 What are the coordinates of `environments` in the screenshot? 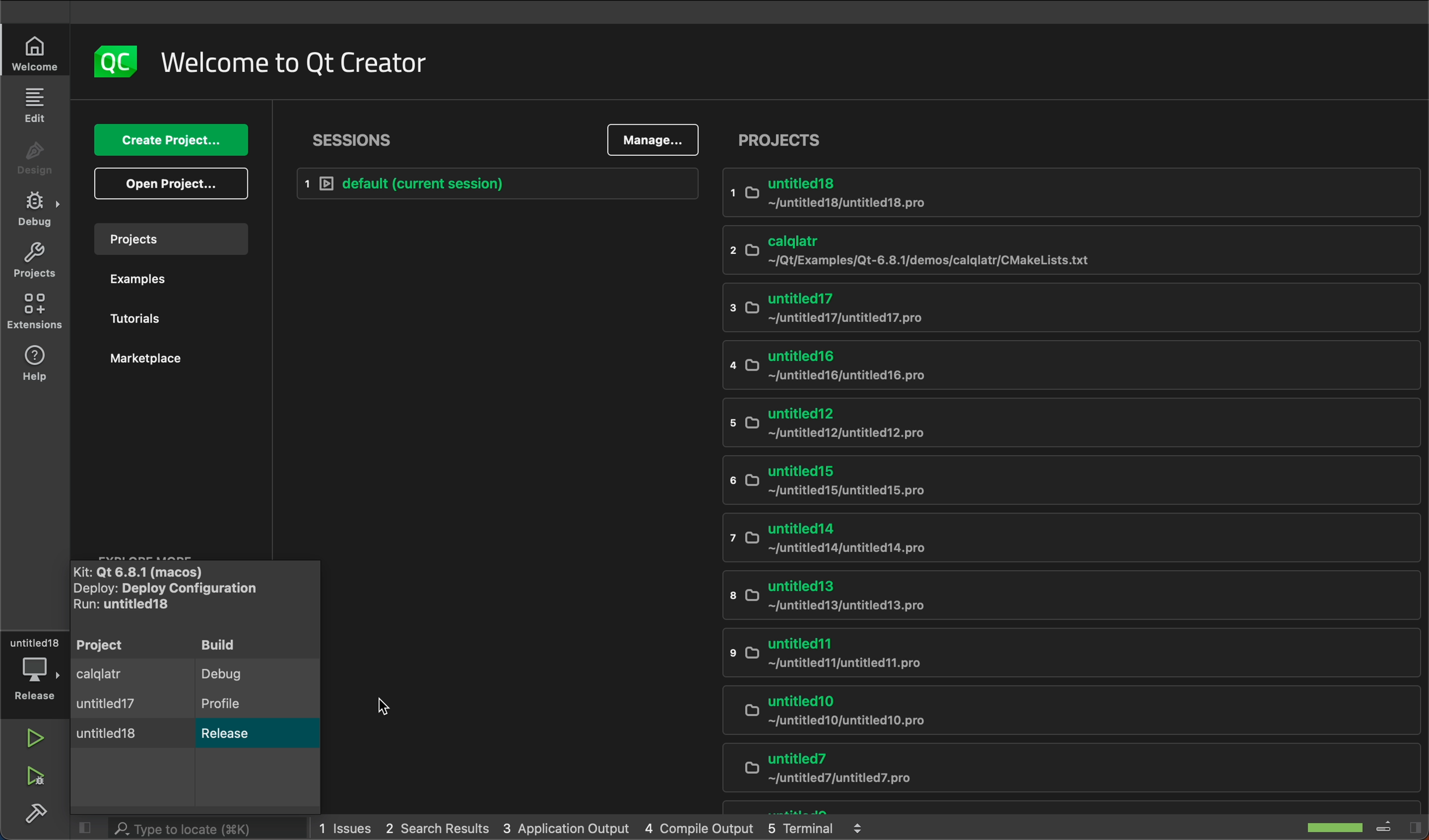 It's located at (35, 313).